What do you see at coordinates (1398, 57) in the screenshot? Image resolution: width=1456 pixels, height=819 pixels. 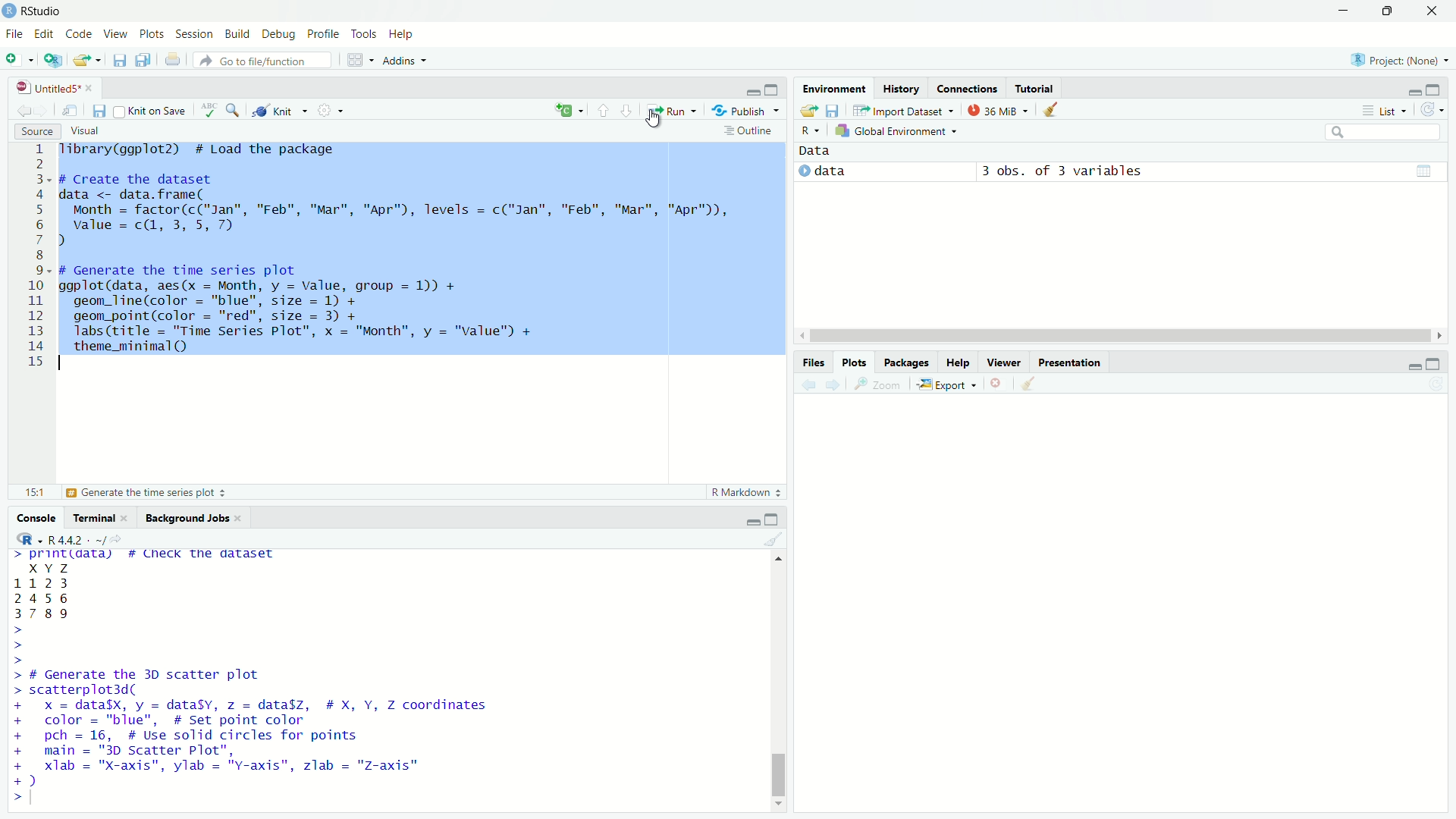 I see `project: (None)` at bounding box center [1398, 57].